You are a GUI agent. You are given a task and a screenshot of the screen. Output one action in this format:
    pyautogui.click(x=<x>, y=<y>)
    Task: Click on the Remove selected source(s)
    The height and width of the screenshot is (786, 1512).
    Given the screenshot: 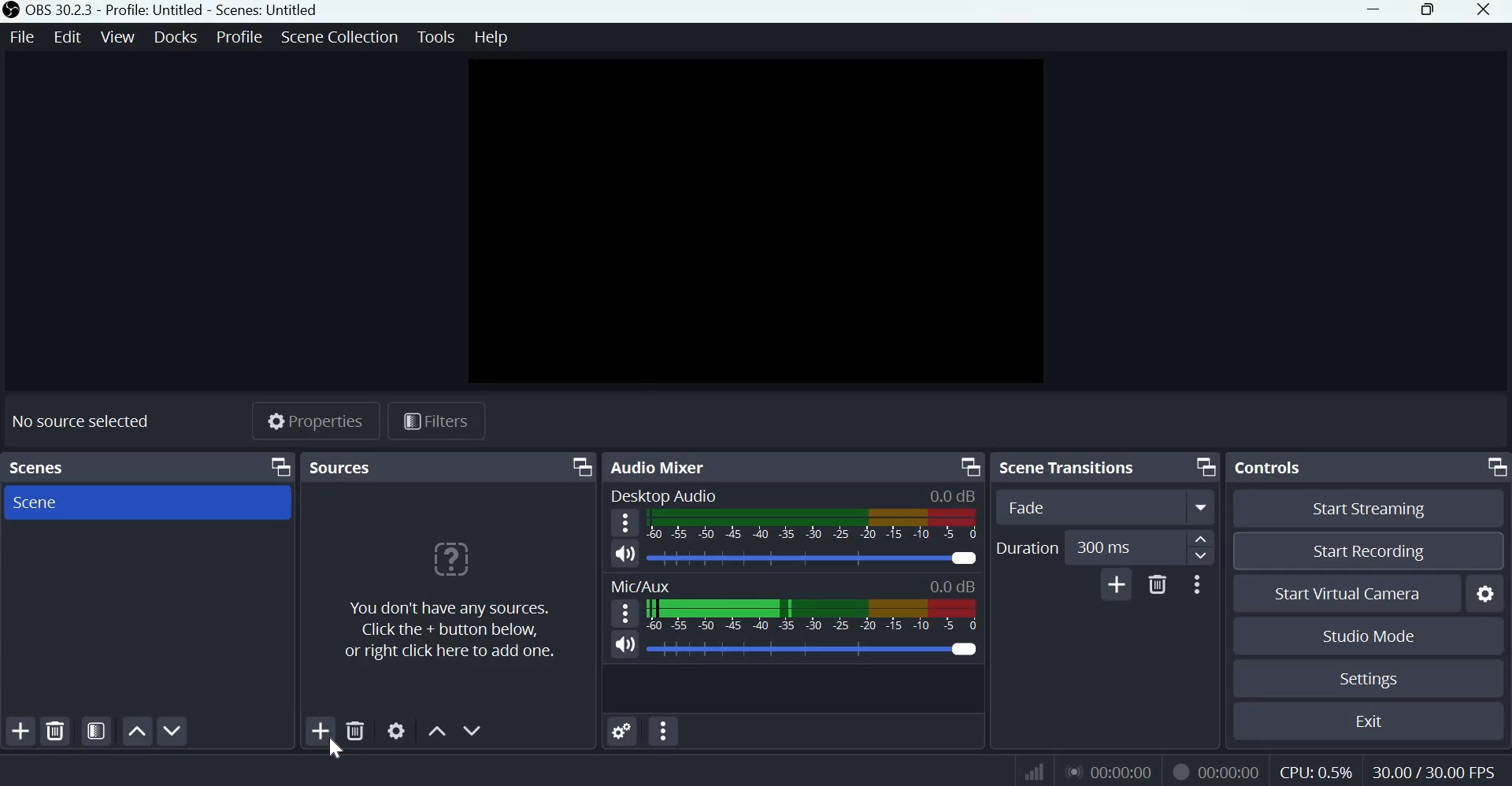 What is the action you would take?
    pyautogui.click(x=357, y=729)
    